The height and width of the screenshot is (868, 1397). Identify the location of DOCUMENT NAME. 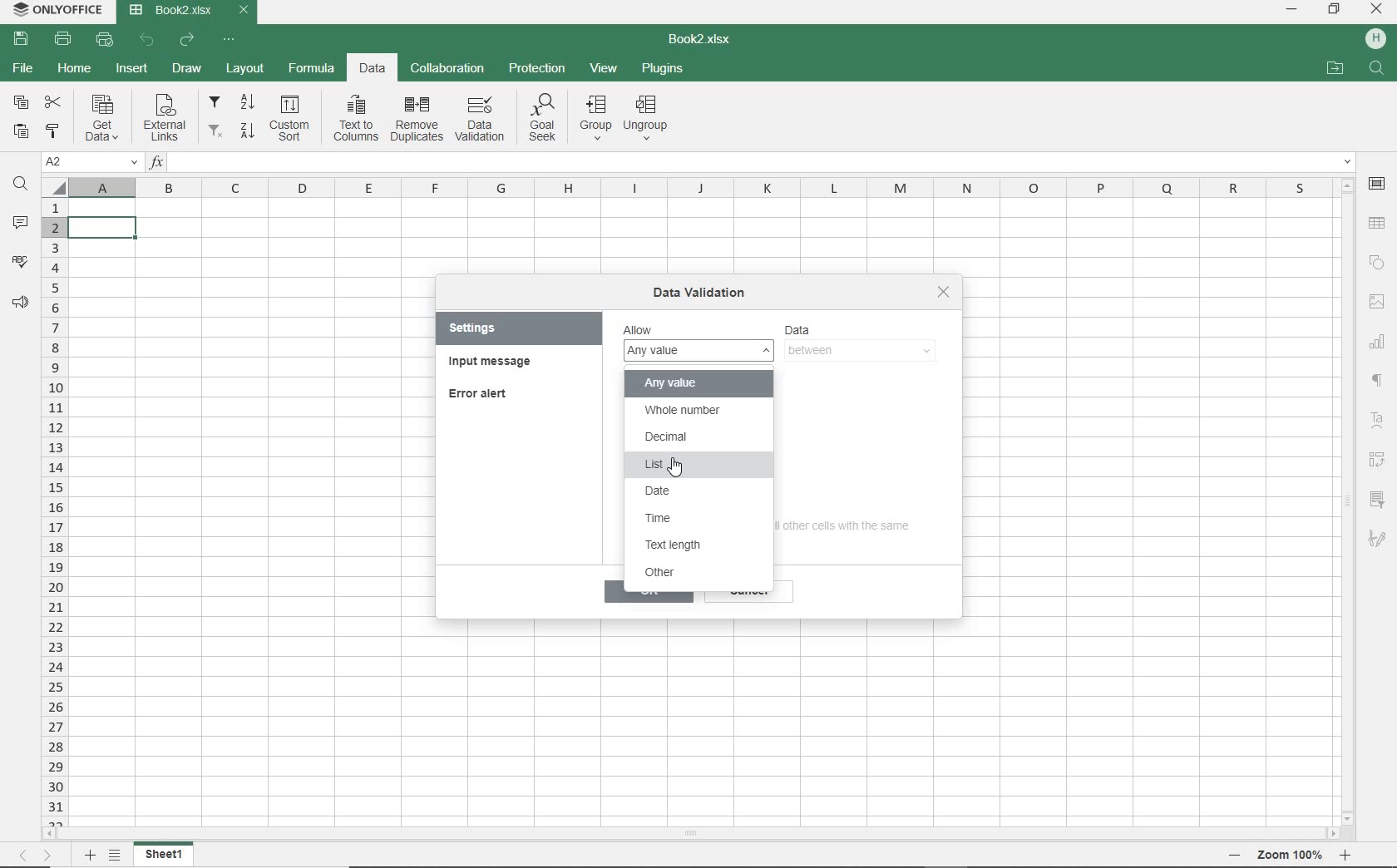
(700, 39).